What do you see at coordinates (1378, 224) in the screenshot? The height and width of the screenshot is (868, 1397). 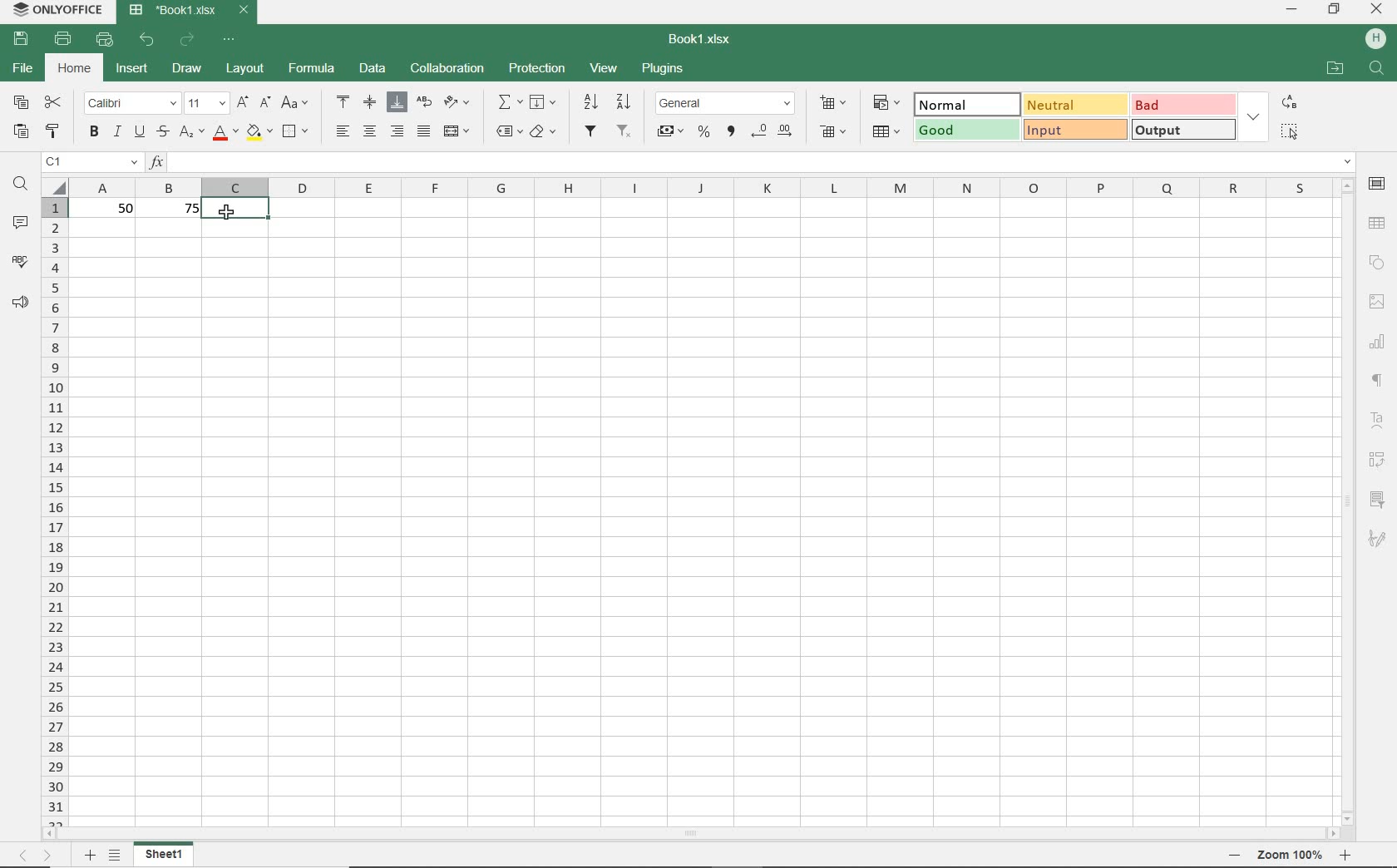 I see `table` at bounding box center [1378, 224].